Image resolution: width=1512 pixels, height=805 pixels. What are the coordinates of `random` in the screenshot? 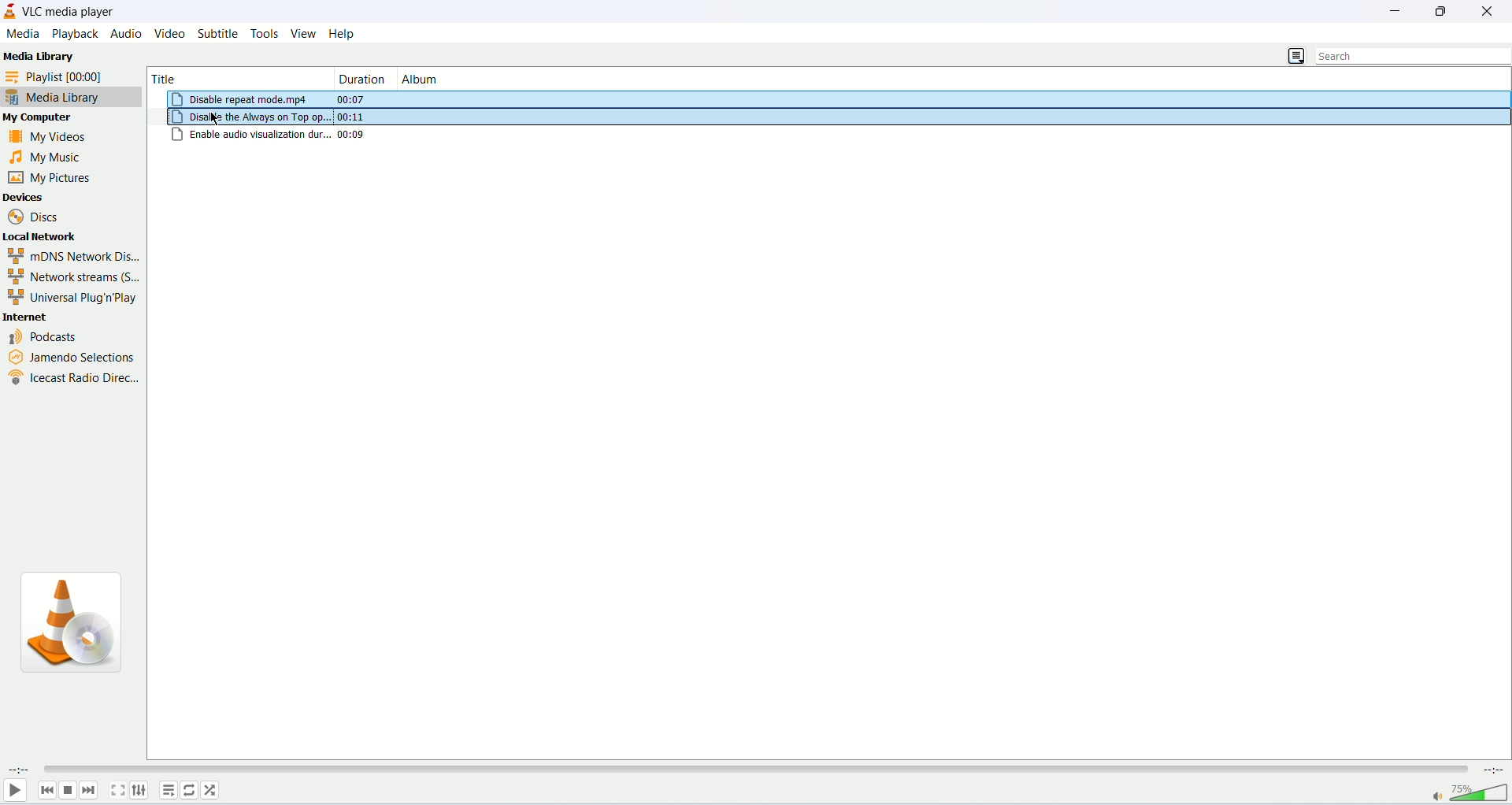 It's located at (209, 790).